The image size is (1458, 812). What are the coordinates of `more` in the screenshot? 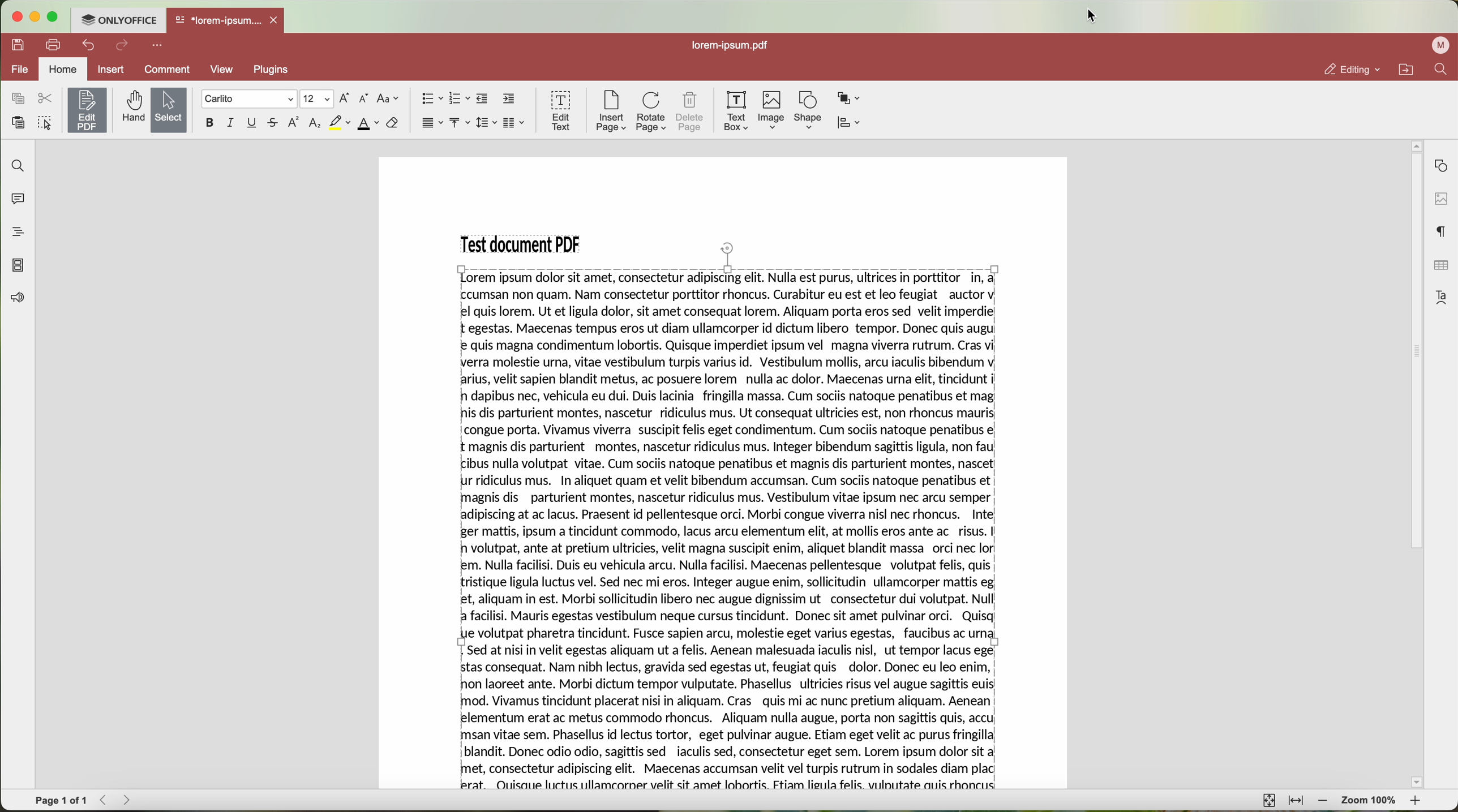 It's located at (157, 46).